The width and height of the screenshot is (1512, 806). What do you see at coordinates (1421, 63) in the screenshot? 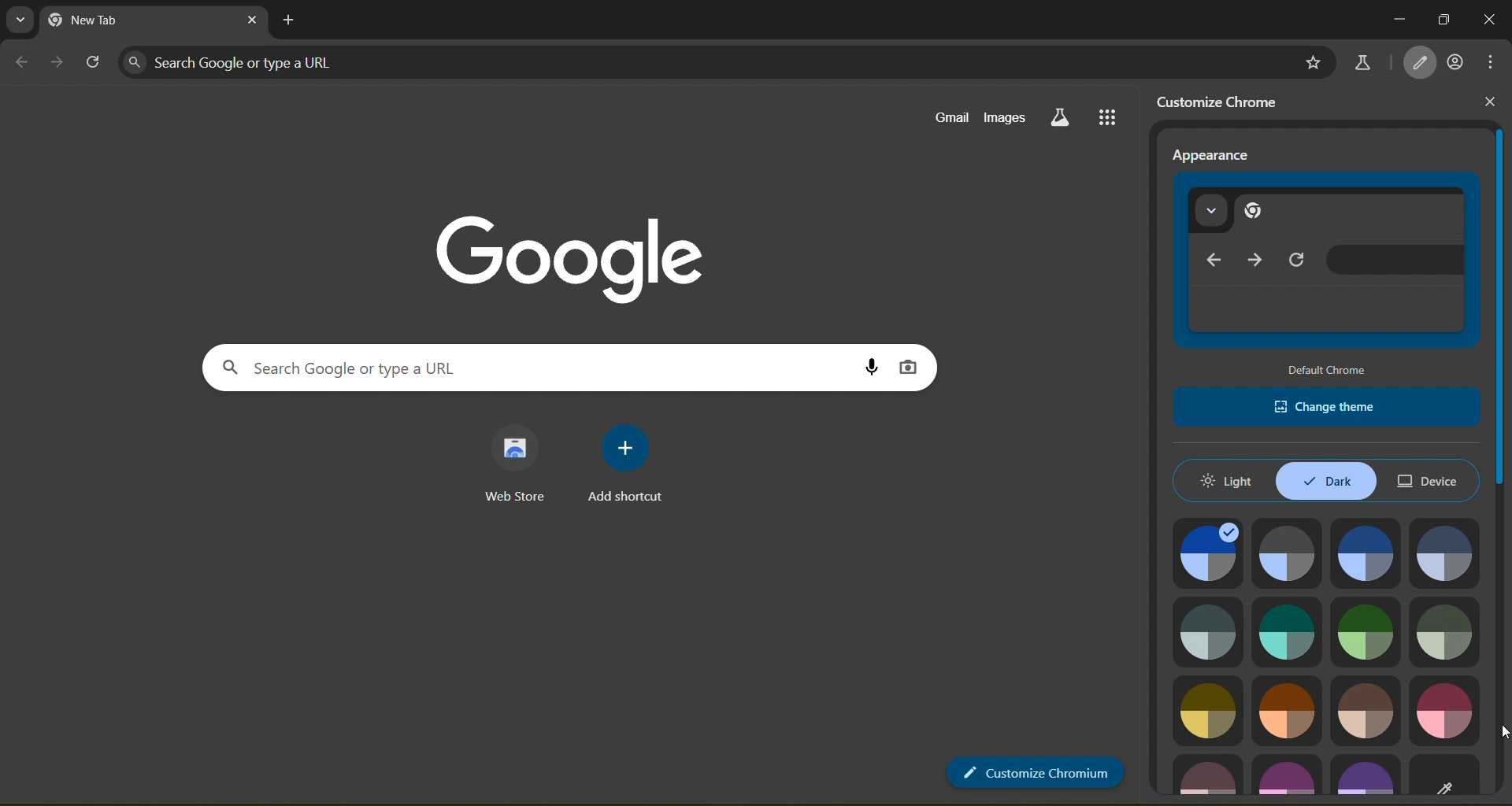
I see `customize chrome` at bounding box center [1421, 63].